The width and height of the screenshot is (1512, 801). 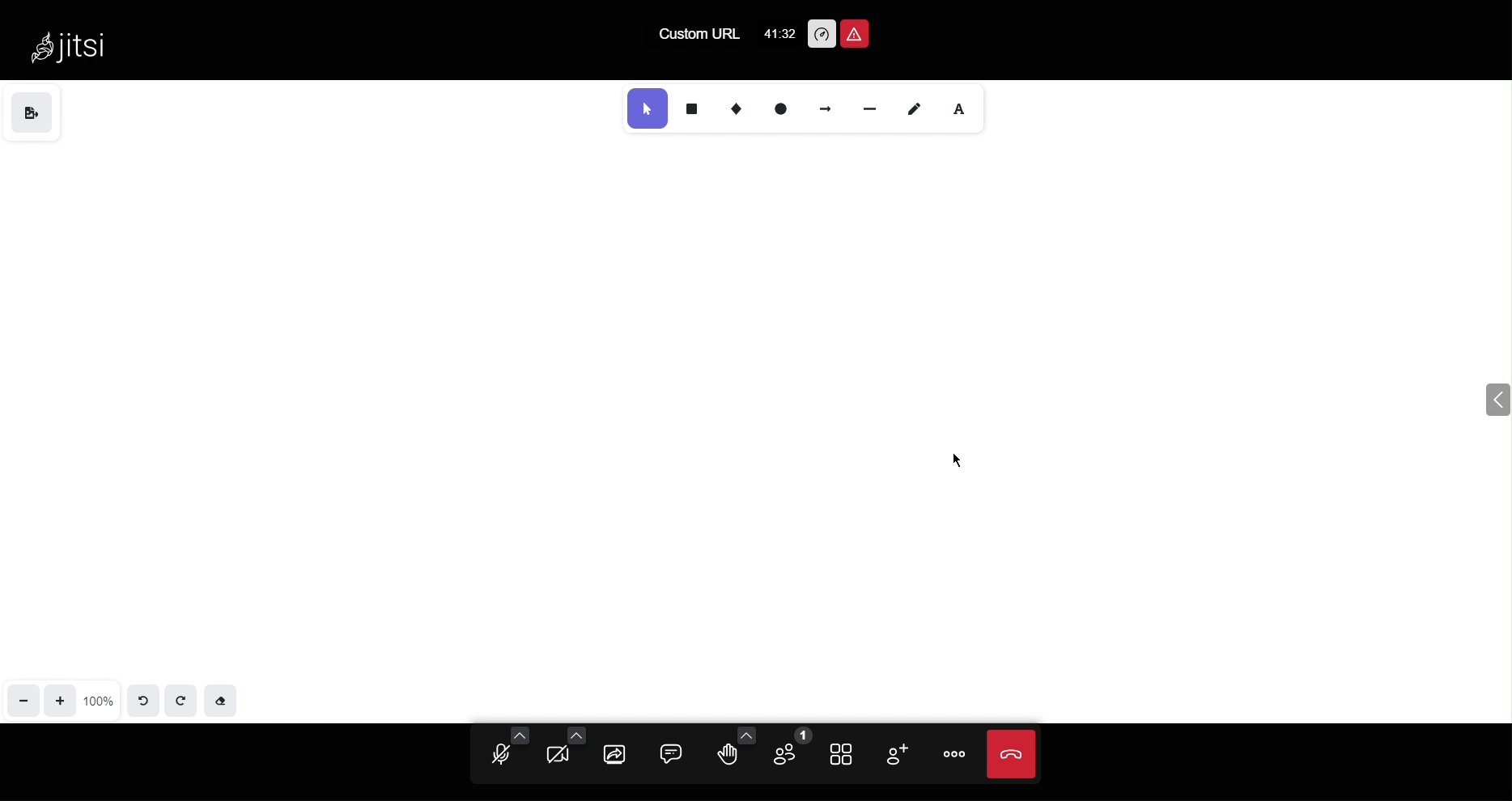 What do you see at coordinates (142, 699) in the screenshot?
I see `Rotate CCW` at bounding box center [142, 699].